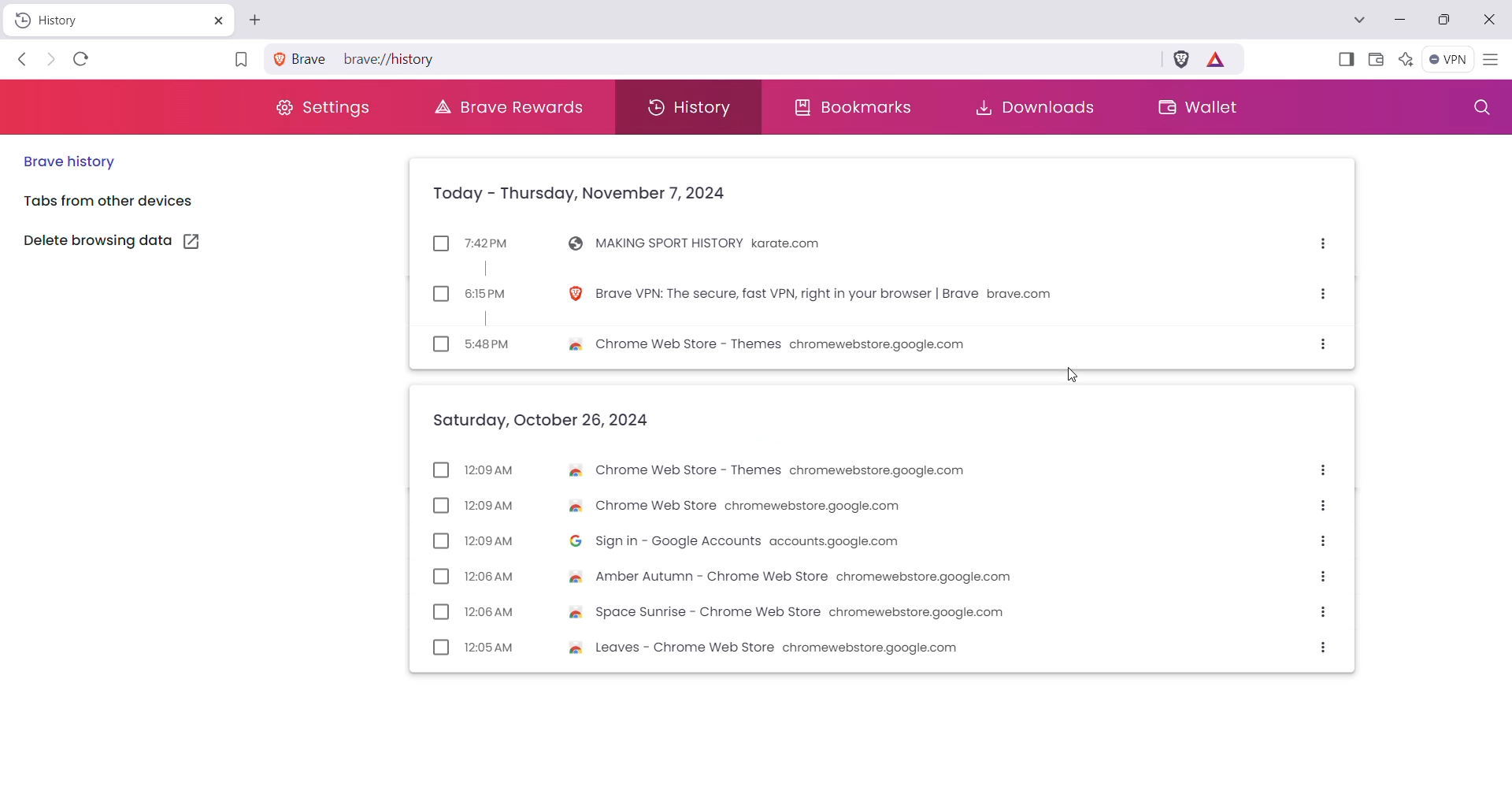  I want to click on 5:48PM, so click(487, 343).